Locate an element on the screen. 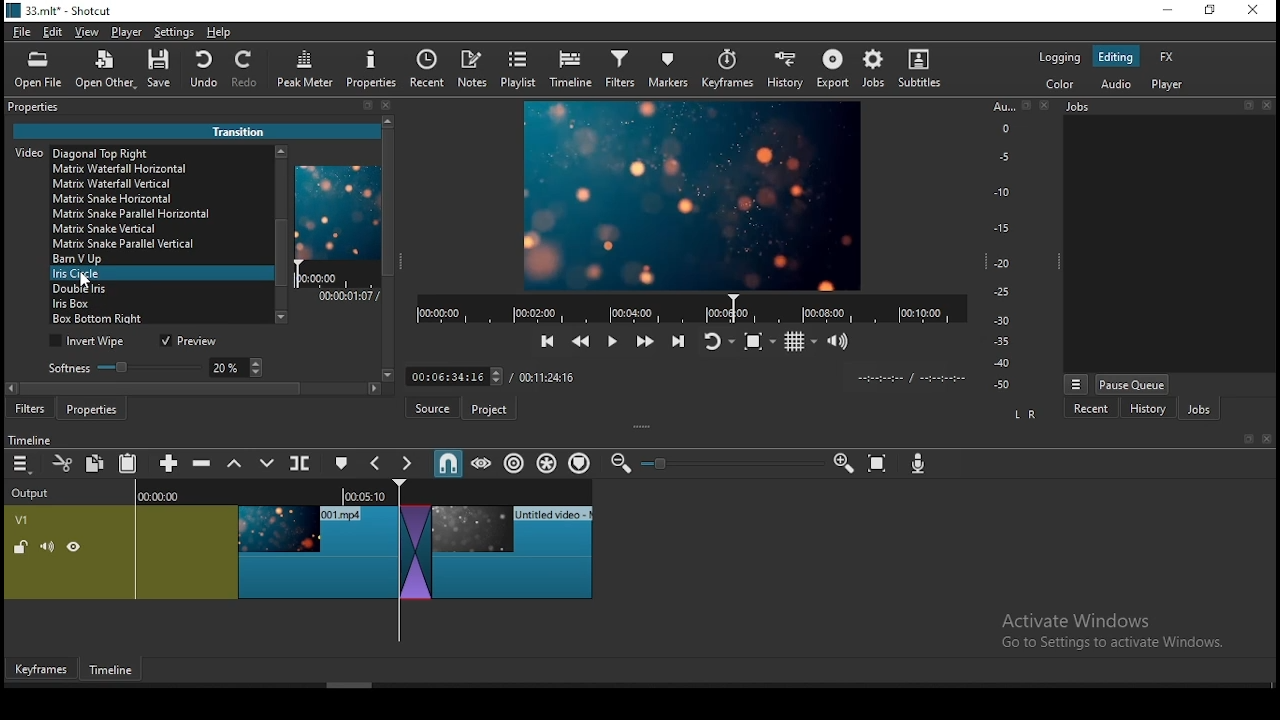 The height and width of the screenshot is (720, 1280). zoom timeline in is located at coordinates (843, 464).